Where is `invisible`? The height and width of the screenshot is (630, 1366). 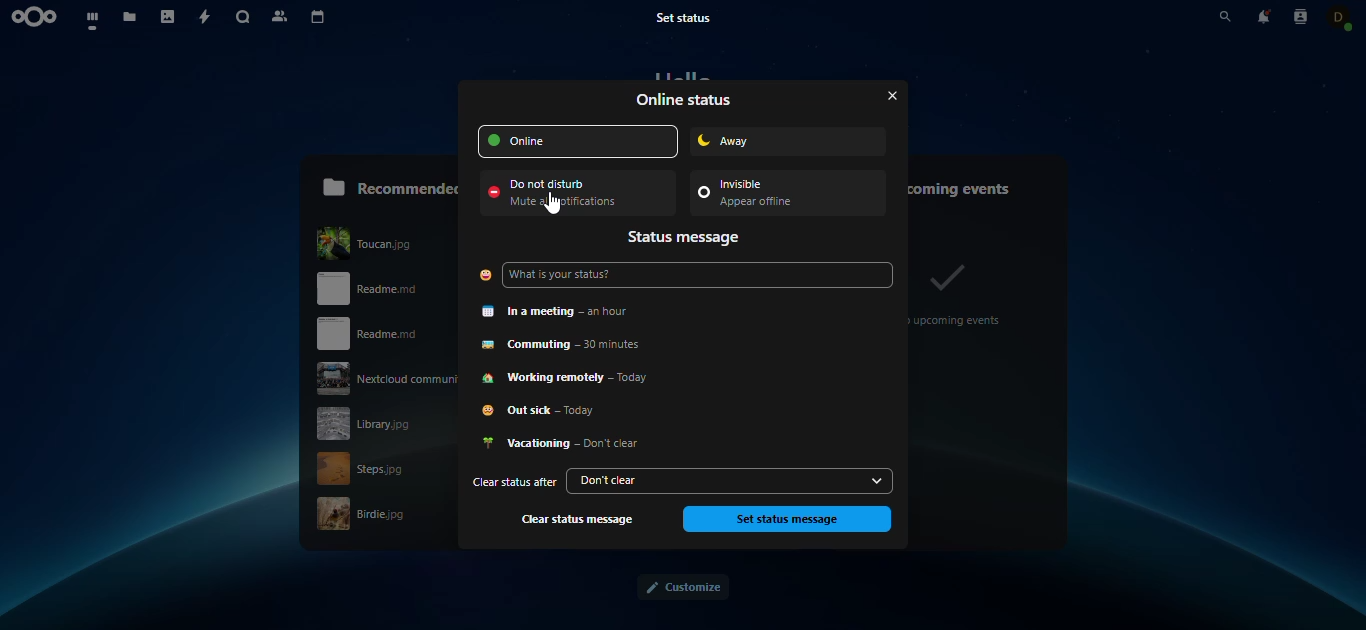 invisible is located at coordinates (775, 195).